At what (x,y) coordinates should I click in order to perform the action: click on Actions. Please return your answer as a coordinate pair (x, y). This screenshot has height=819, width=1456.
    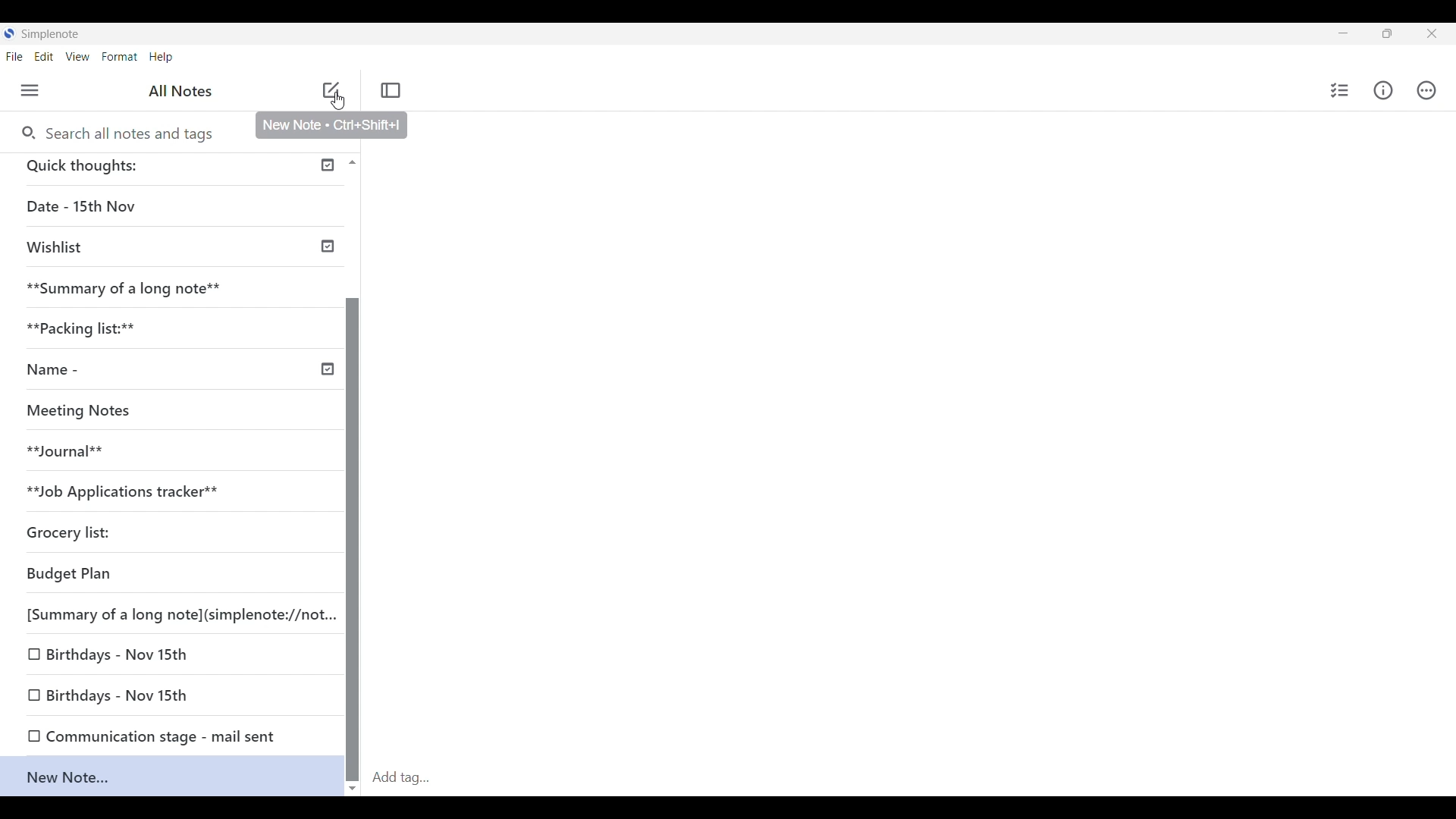
    Looking at the image, I should click on (1426, 90).